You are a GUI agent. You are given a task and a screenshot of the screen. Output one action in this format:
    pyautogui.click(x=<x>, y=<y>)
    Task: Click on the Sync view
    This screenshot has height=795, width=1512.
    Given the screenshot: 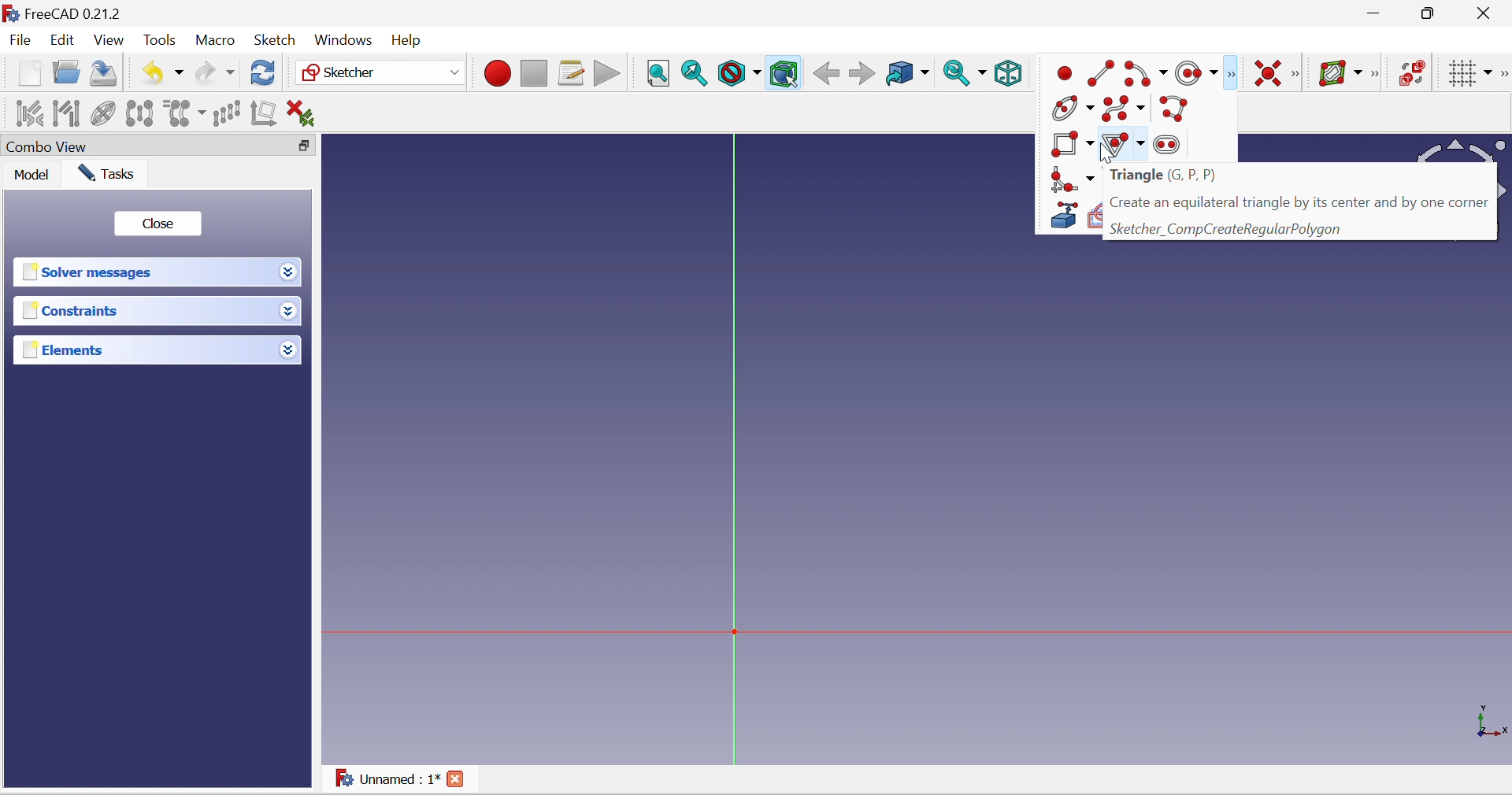 What is the action you would take?
    pyautogui.click(x=966, y=74)
    